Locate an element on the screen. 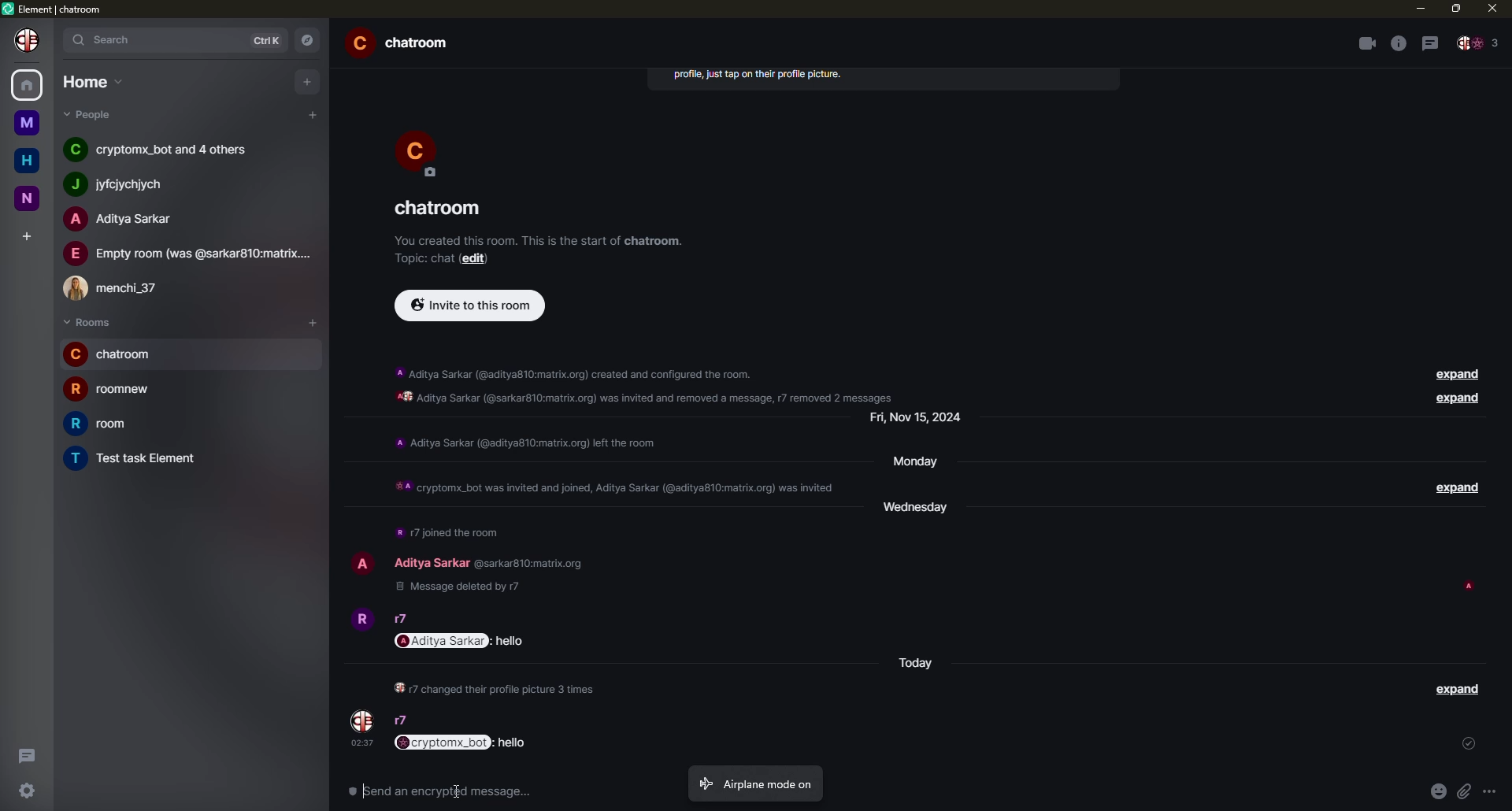 The image size is (1512, 811). people is located at coordinates (403, 721).